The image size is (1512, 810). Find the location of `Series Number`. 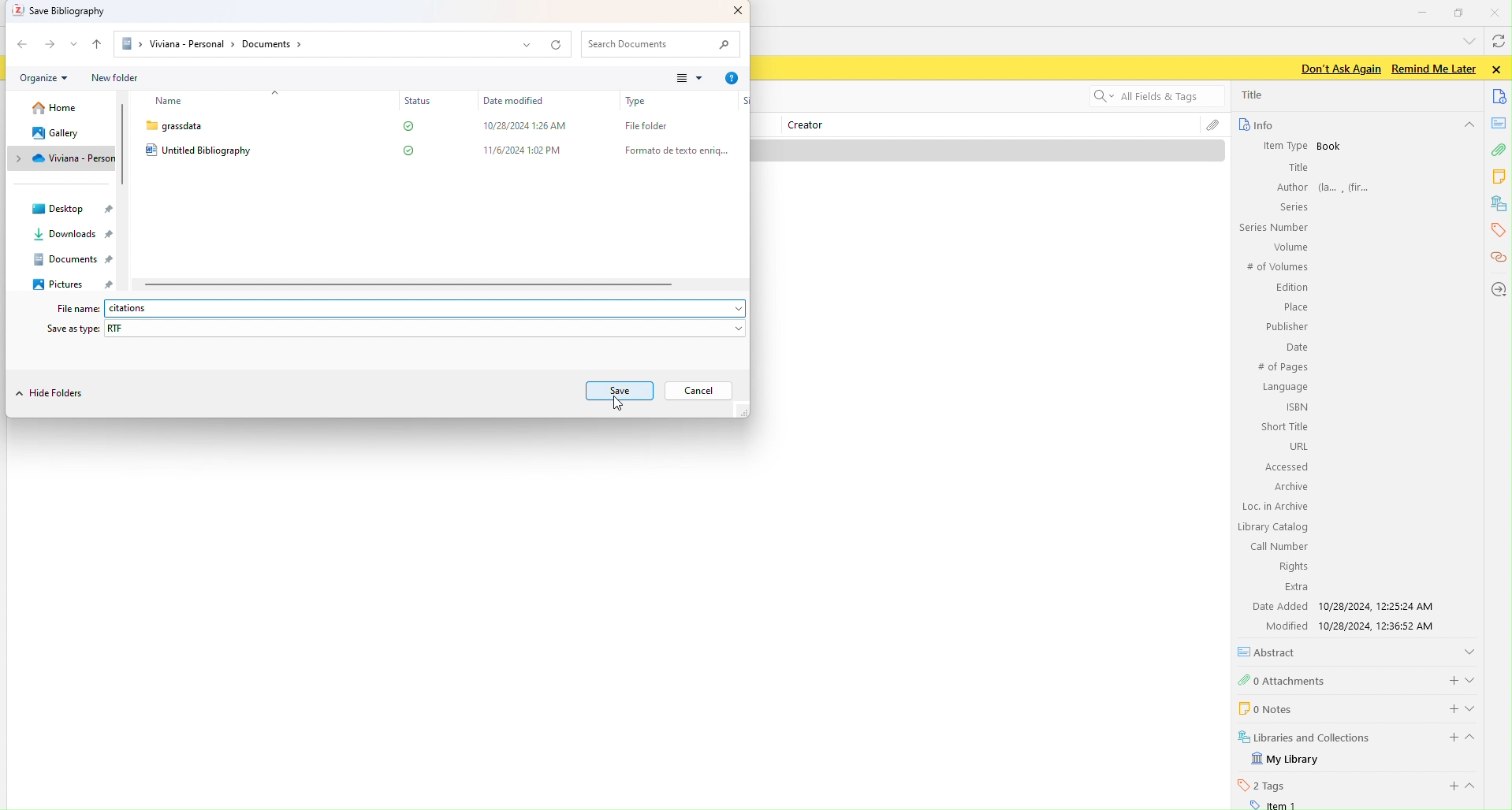

Series Number is located at coordinates (1272, 228).